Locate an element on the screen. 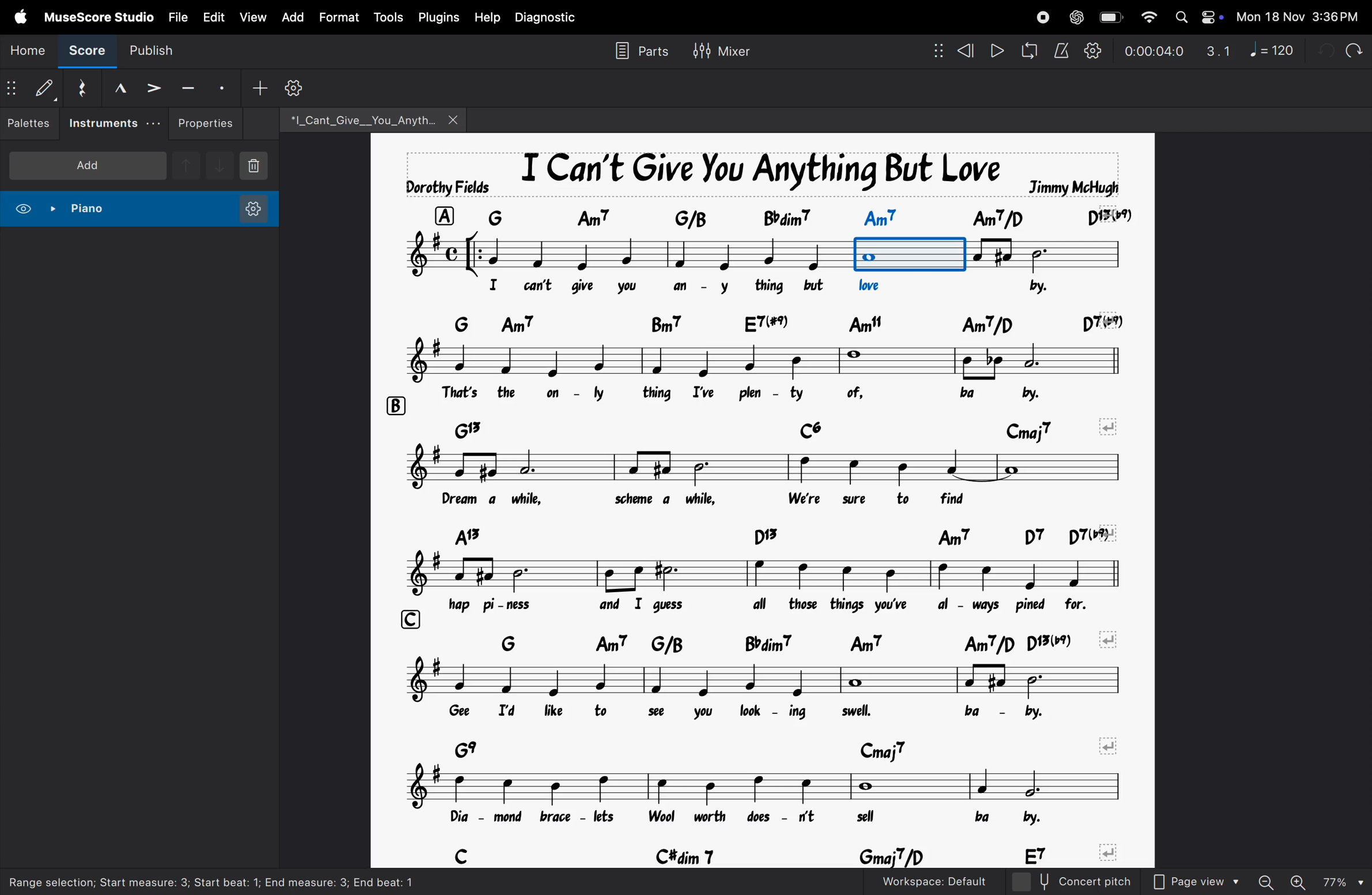 The image size is (1372, 895). concert pitch is located at coordinates (1069, 881).